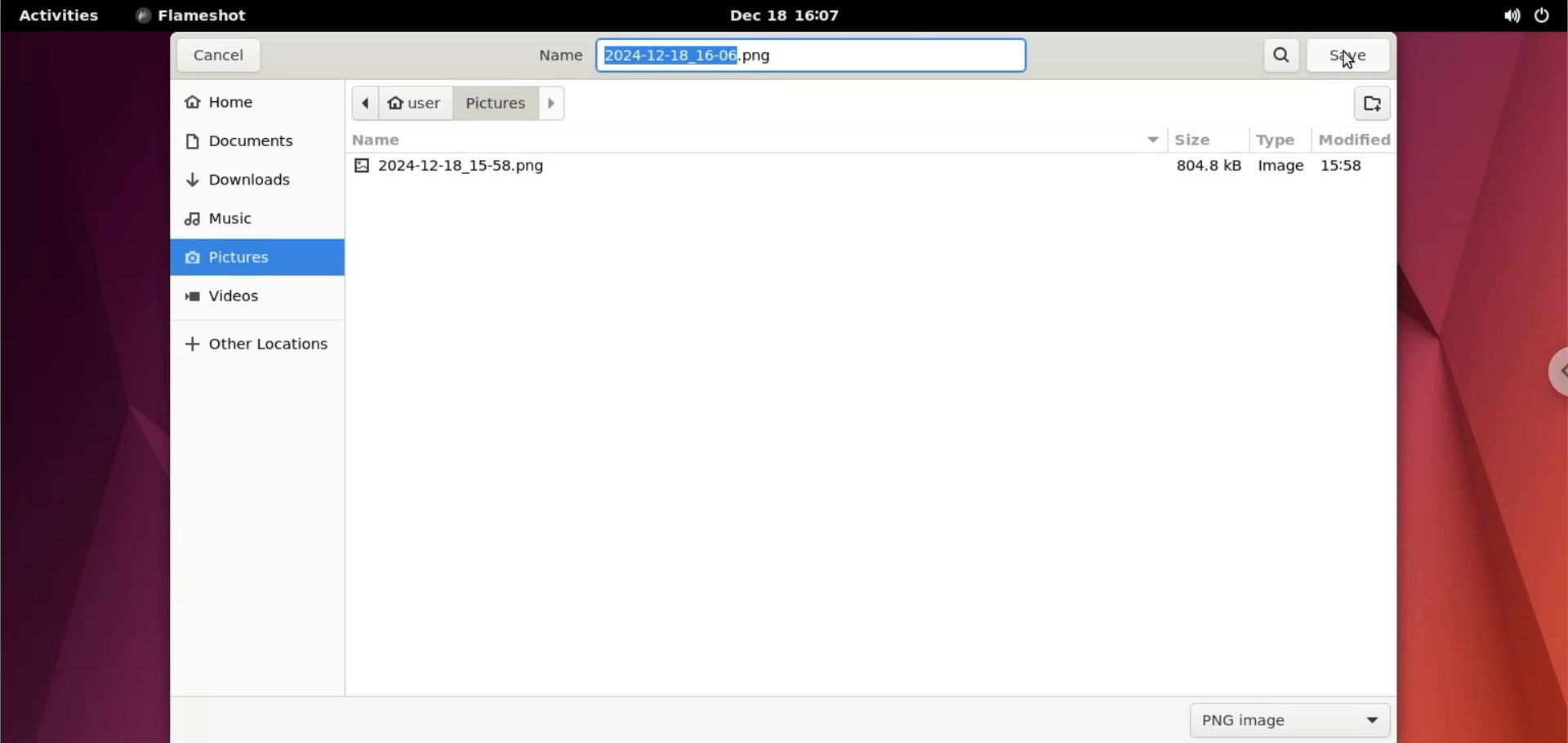 This screenshot has height=743, width=1568. I want to click on Flameshot options, so click(197, 16).